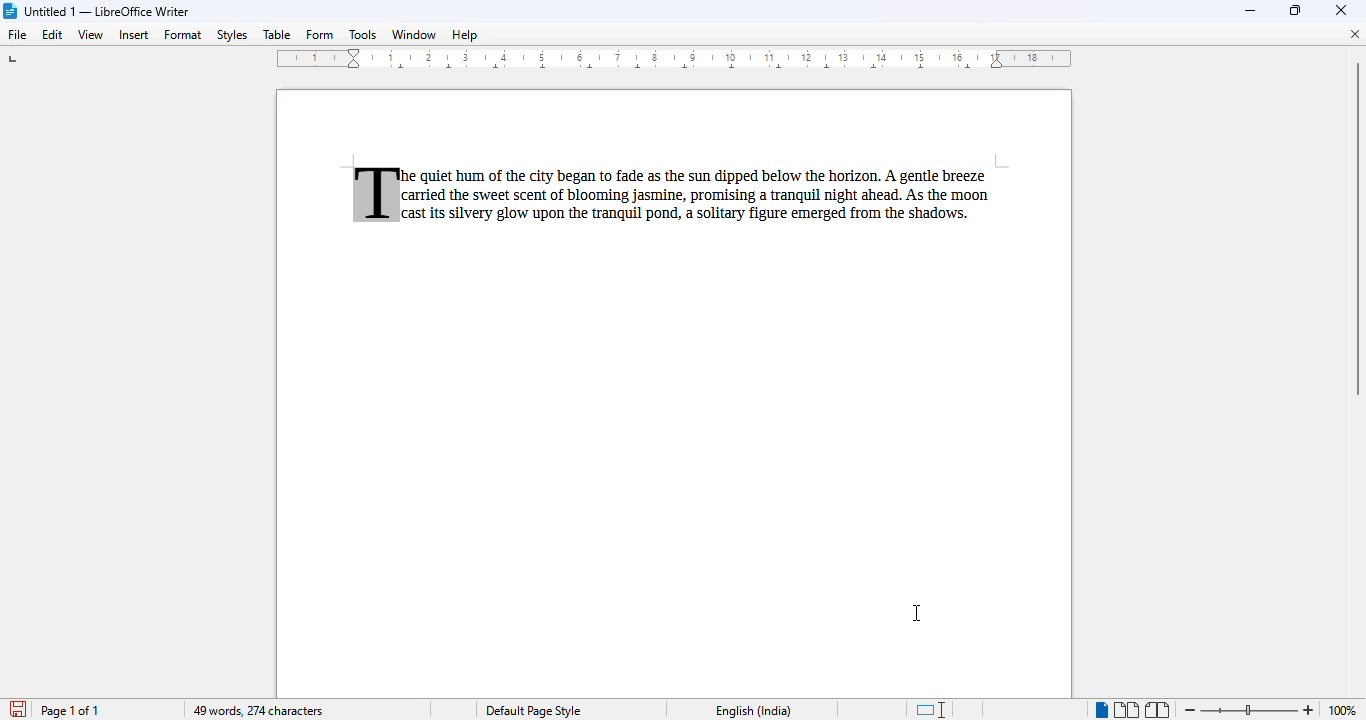 This screenshot has width=1366, height=720. I want to click on standard selection, so click(931, 709).